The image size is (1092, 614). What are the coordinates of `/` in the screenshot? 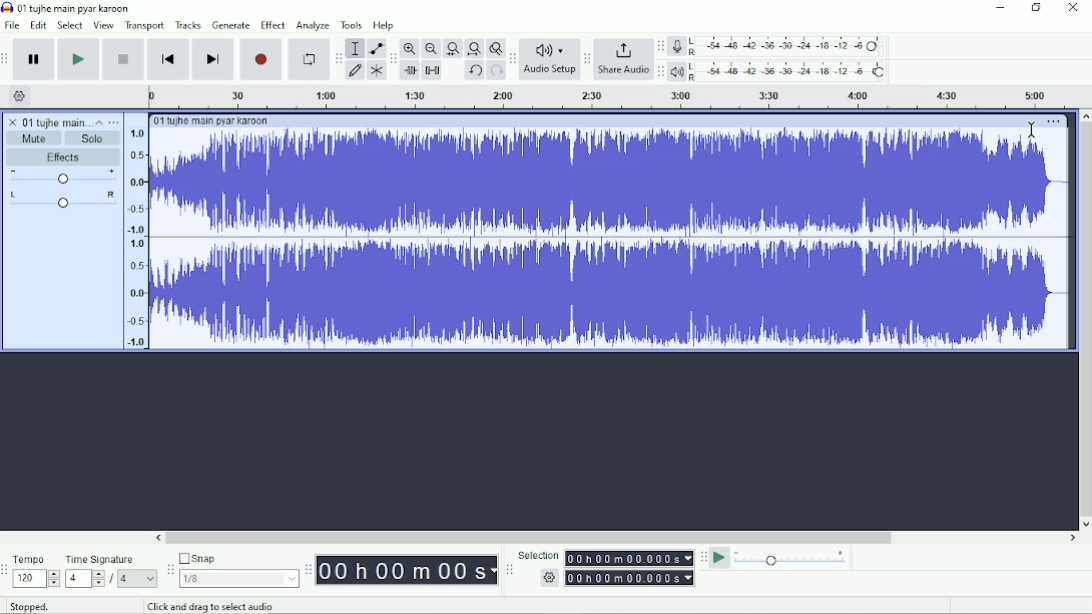 It's located at (112, 579).